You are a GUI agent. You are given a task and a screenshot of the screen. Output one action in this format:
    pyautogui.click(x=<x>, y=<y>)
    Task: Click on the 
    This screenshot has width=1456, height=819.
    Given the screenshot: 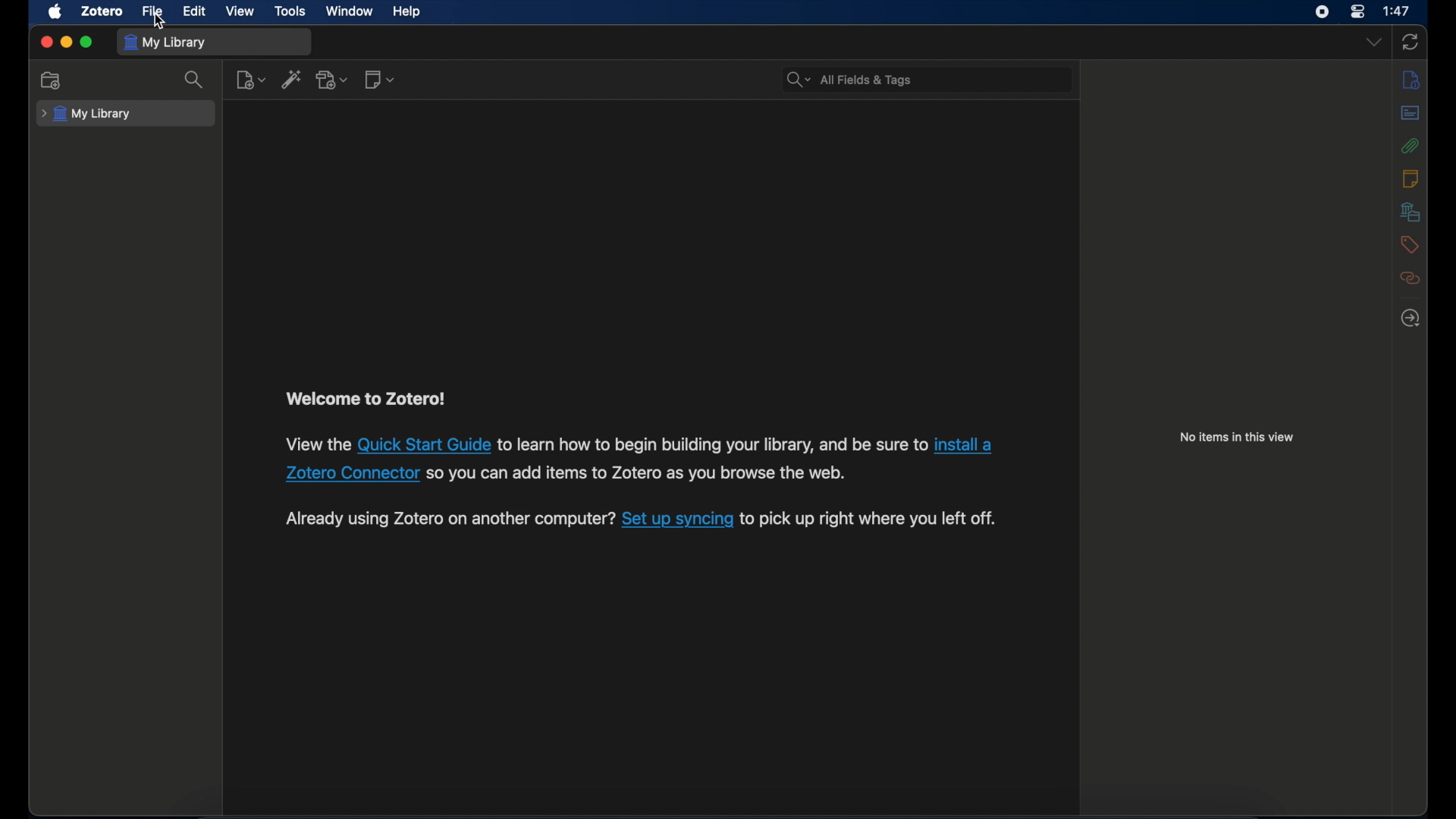 What is the action you would take?
    pyautogui.click(x=423, y=444)
    